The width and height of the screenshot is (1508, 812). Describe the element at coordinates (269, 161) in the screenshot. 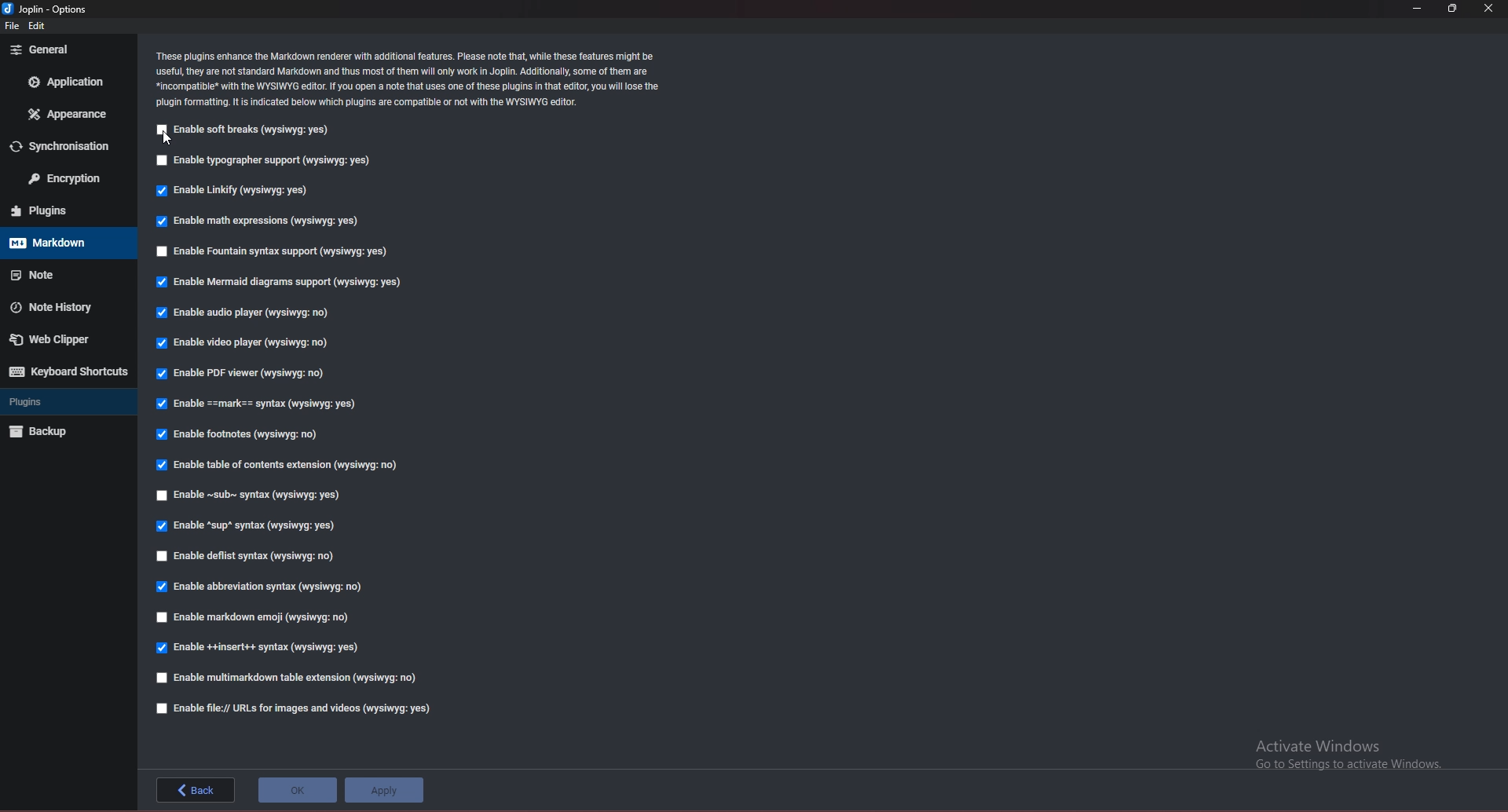

I see `snable typographer support` at that location.